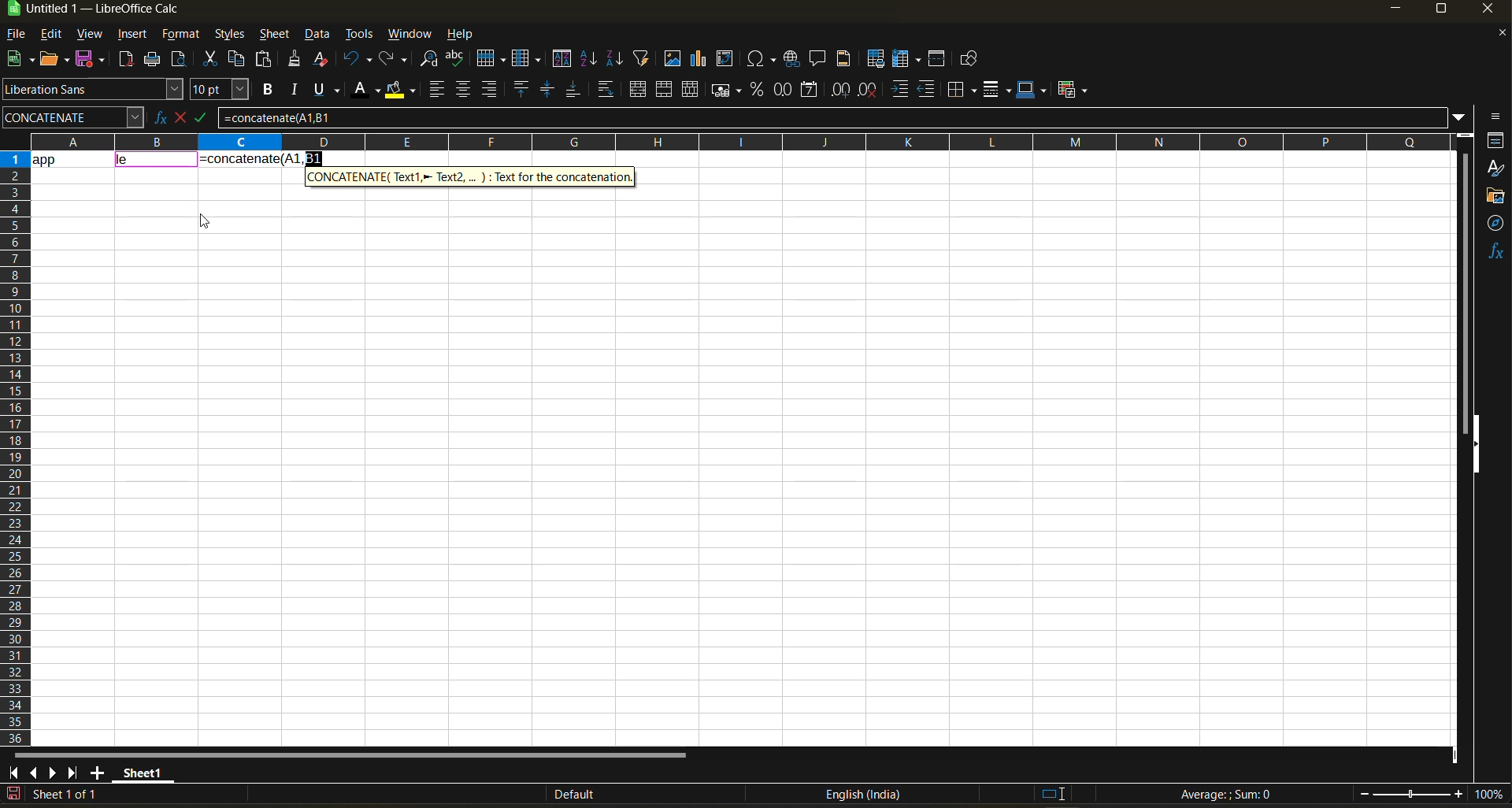  I want to click on expand formula bar, so click(1459, 116).